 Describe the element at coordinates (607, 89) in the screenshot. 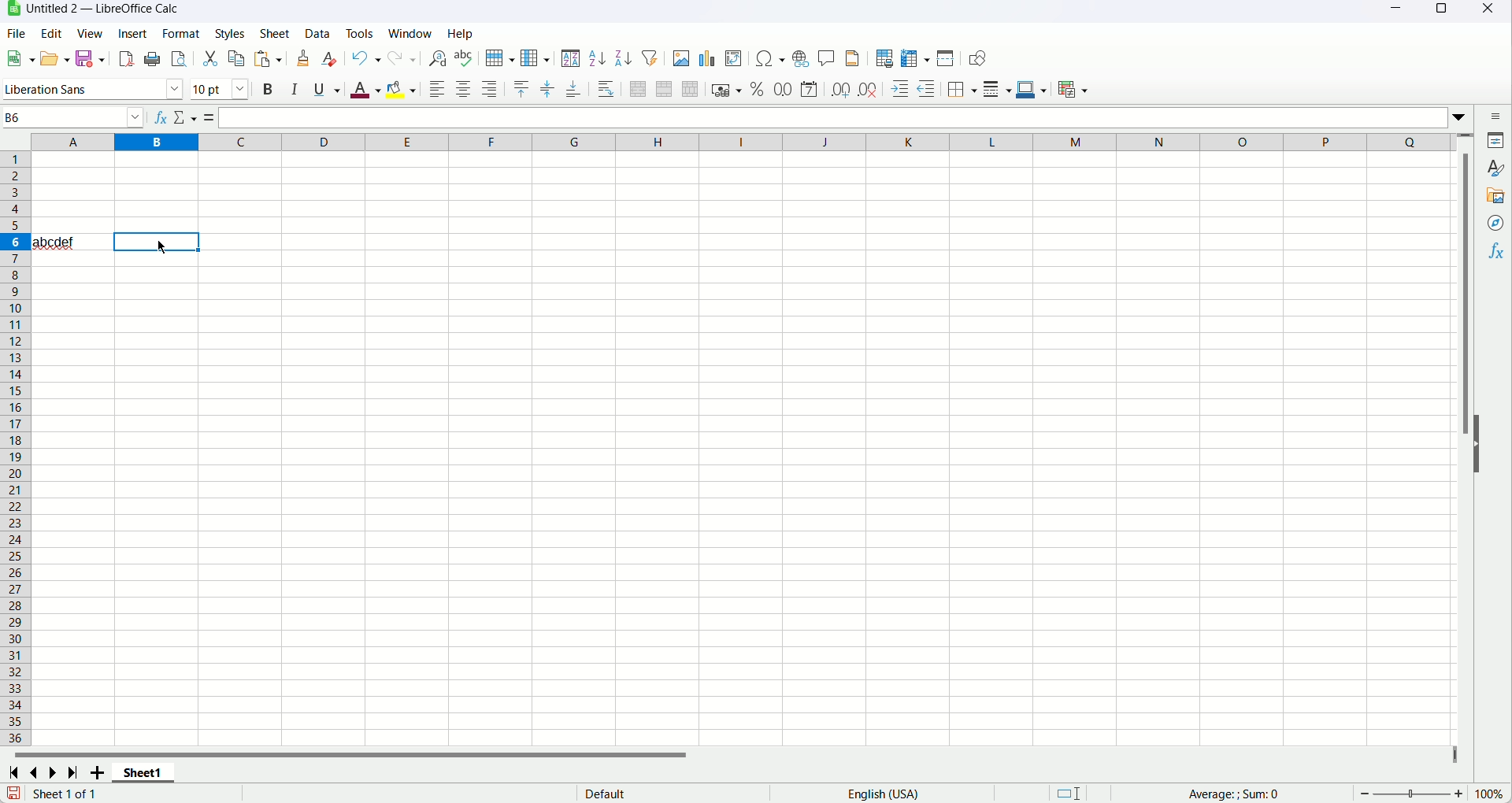

I see `wrap text` at that location.